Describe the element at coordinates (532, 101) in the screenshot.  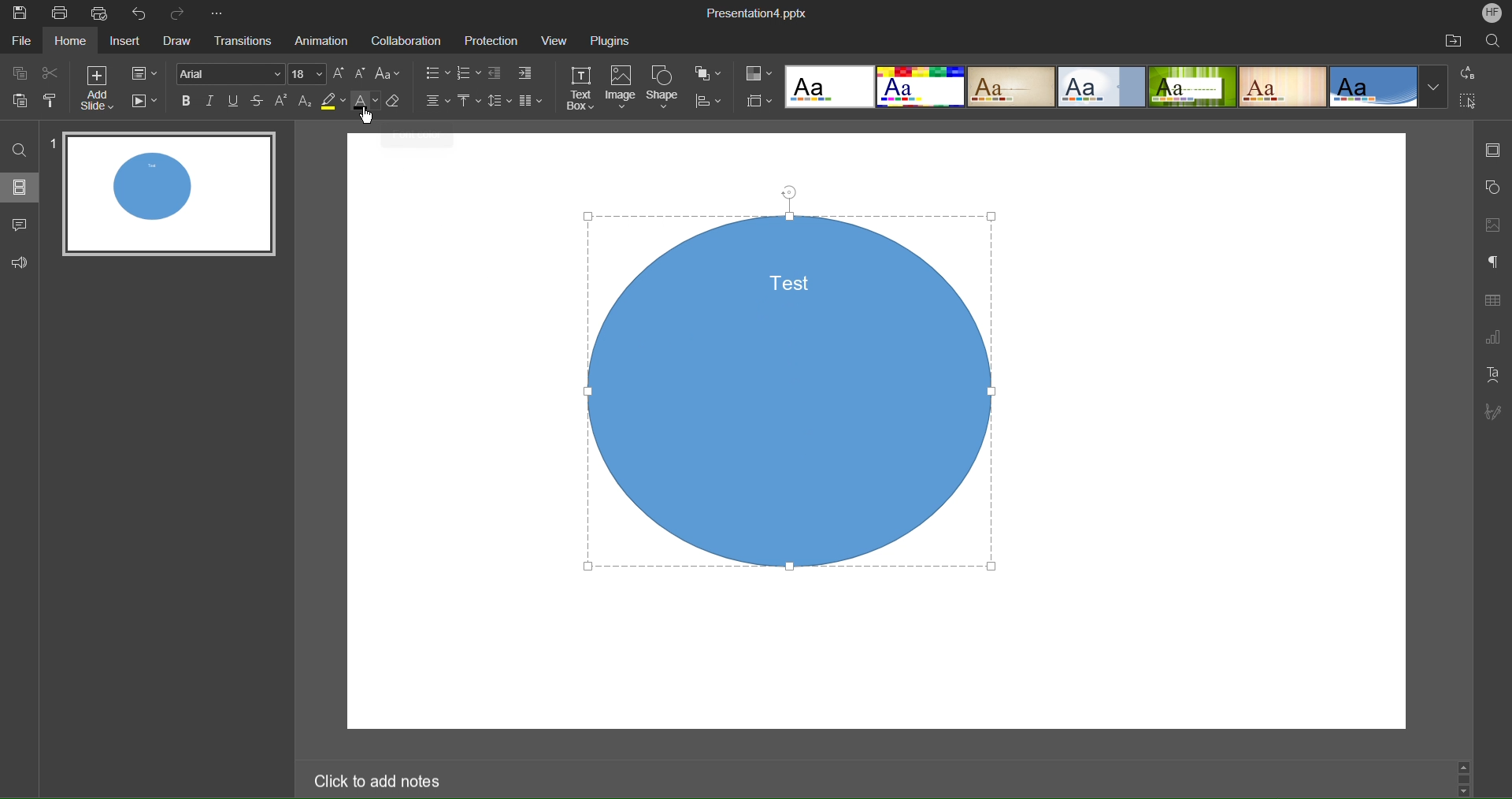
I see `Columns` at that location.